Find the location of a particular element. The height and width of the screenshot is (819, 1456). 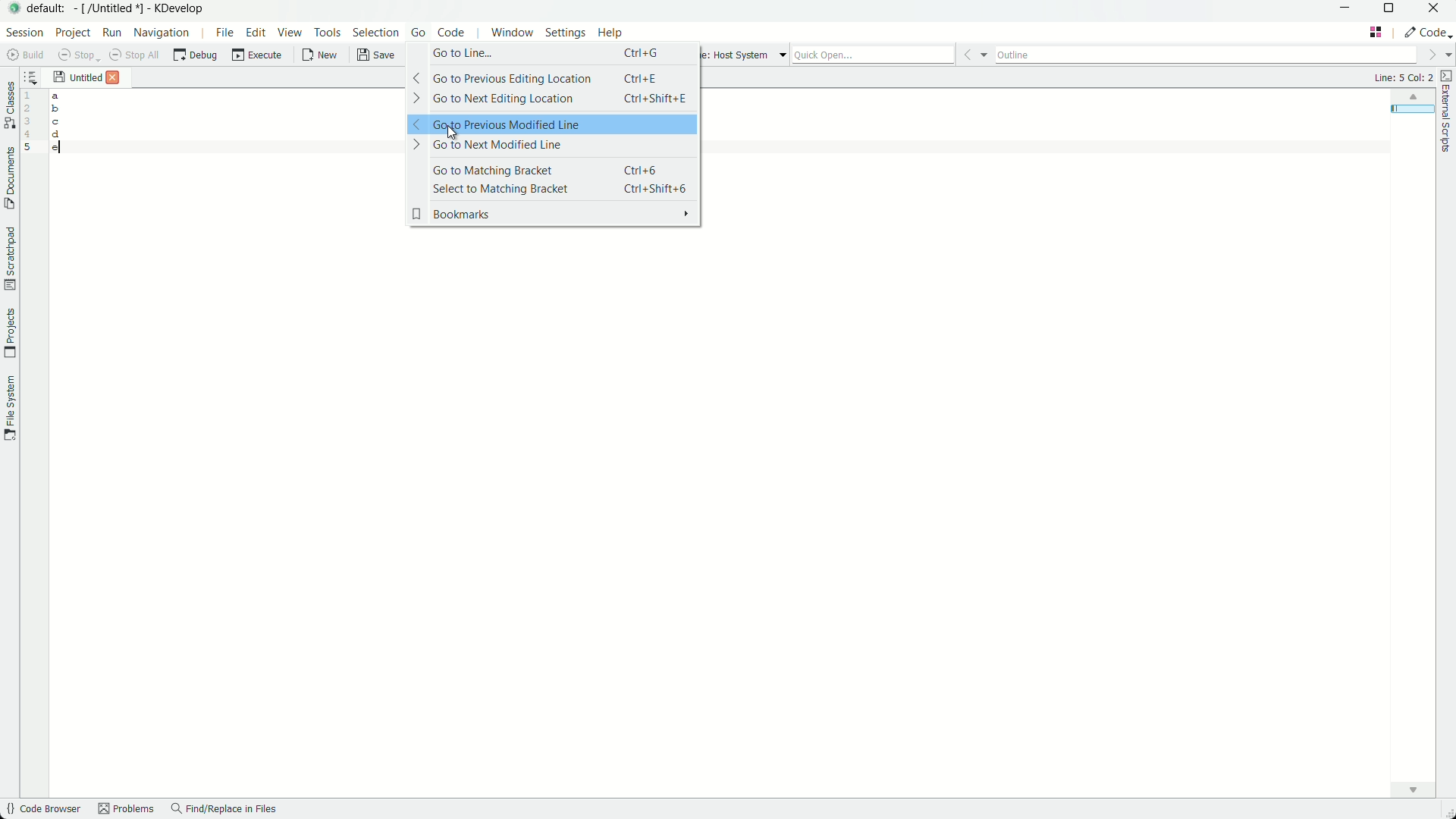

go to matching bracket is located at coordinates (553, 170).